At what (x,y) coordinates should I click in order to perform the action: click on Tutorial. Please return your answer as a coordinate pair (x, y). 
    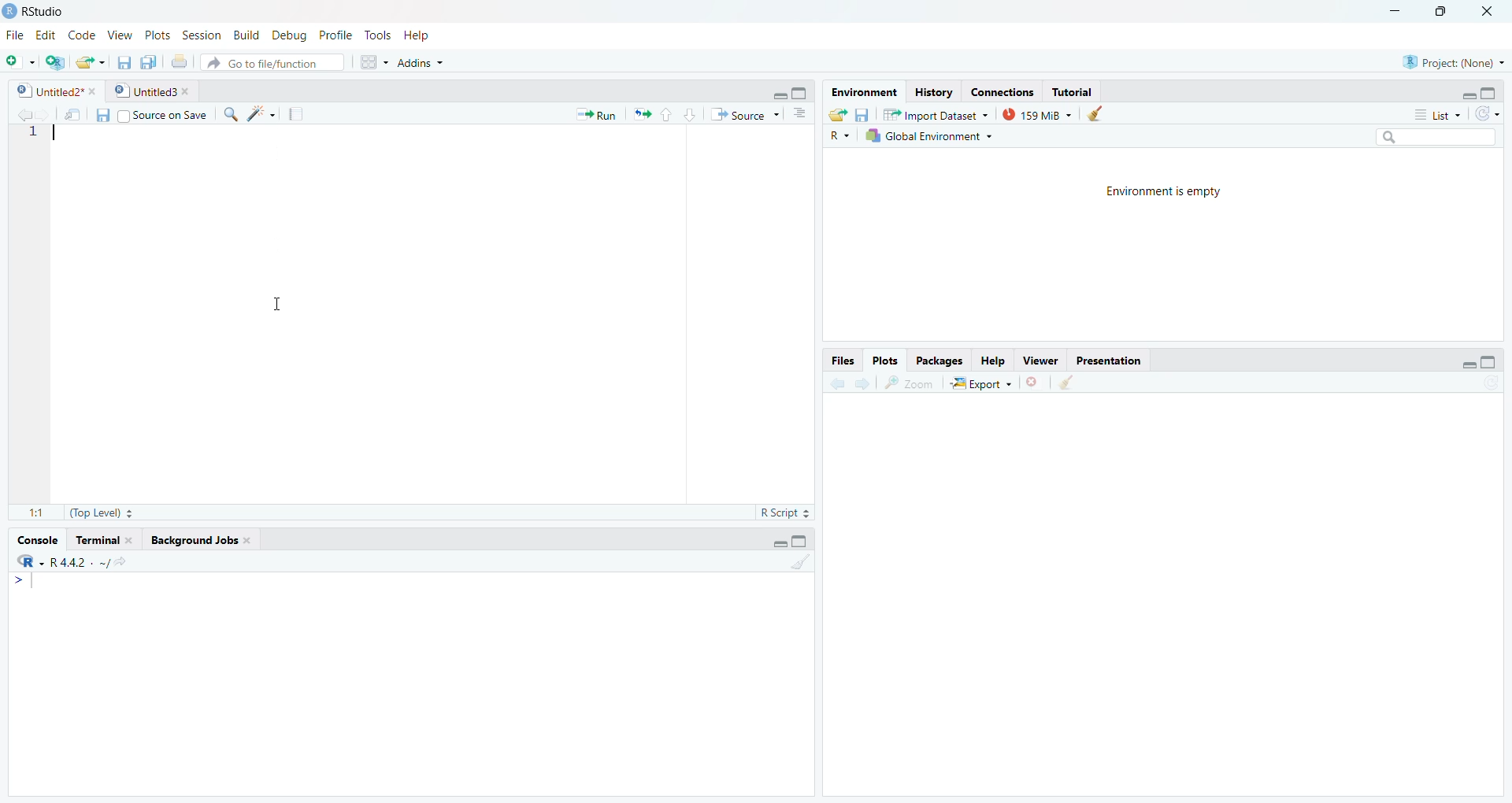
    Looking at the image, I should click on (1073, 92).